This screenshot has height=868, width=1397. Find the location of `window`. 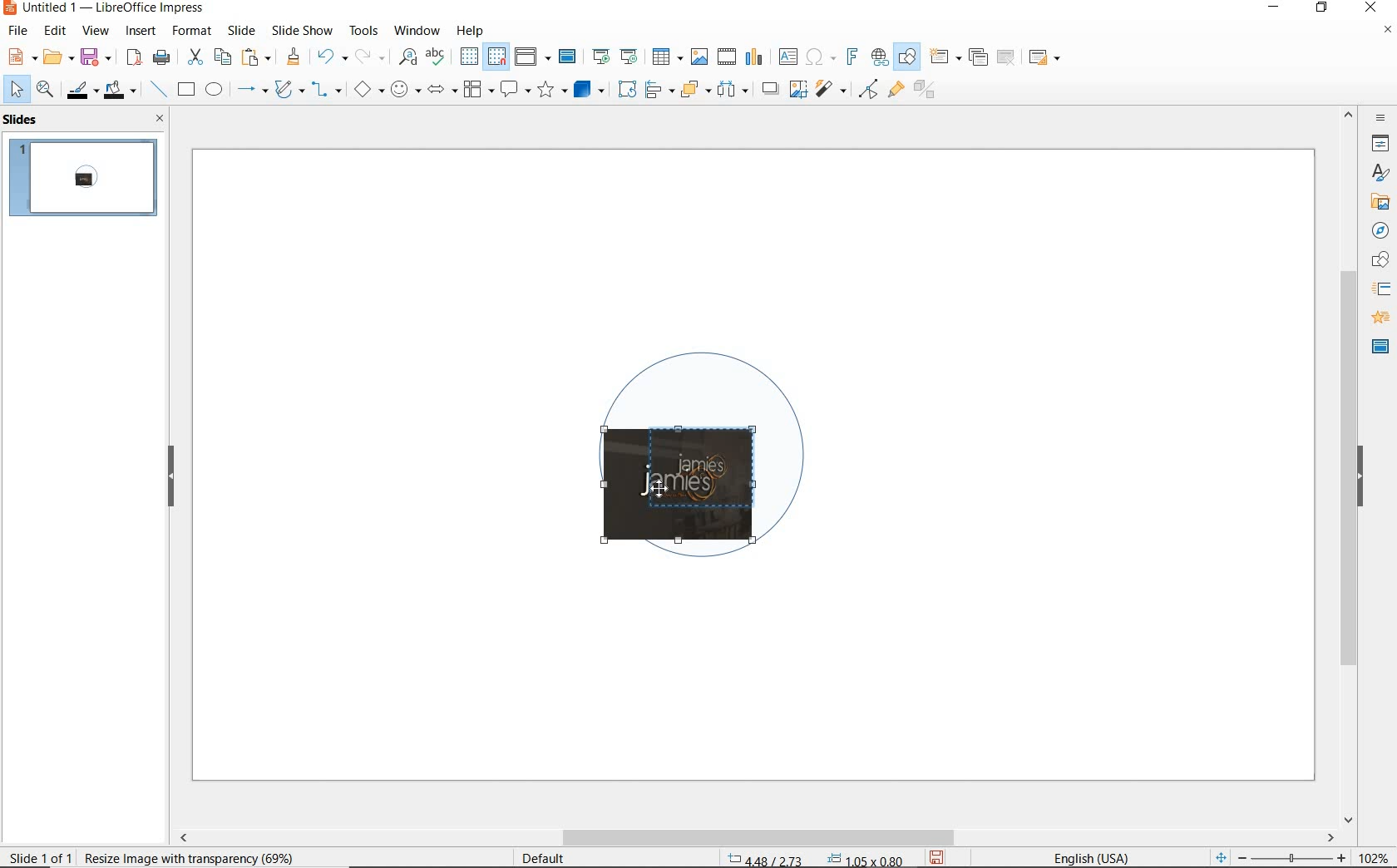

window is located at coordinates (417, 29).